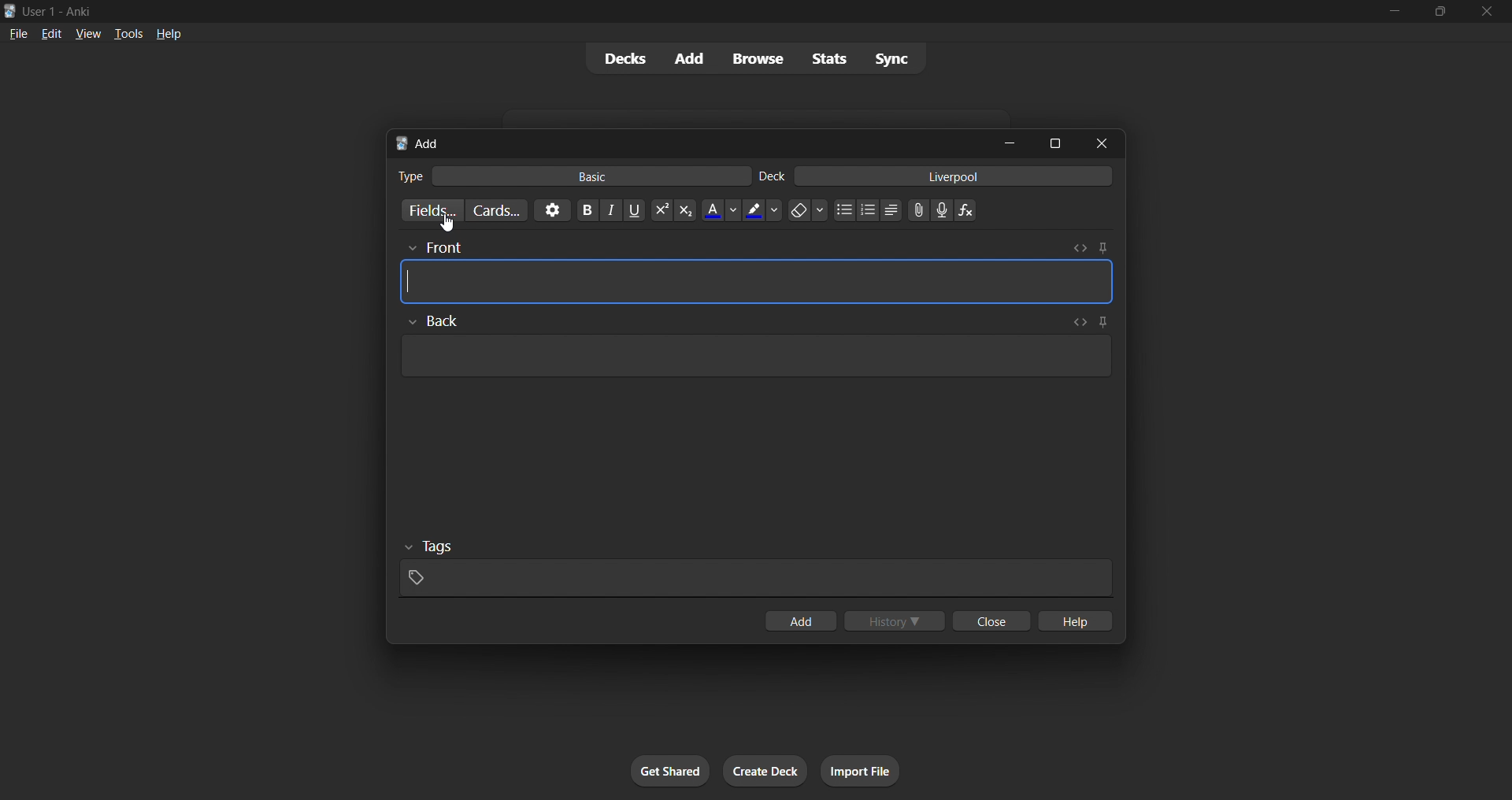 This screenshot has width=1512, height=800. Describe the element at coordinates (52, 33) in the screenshot. I see `edit` at that location.